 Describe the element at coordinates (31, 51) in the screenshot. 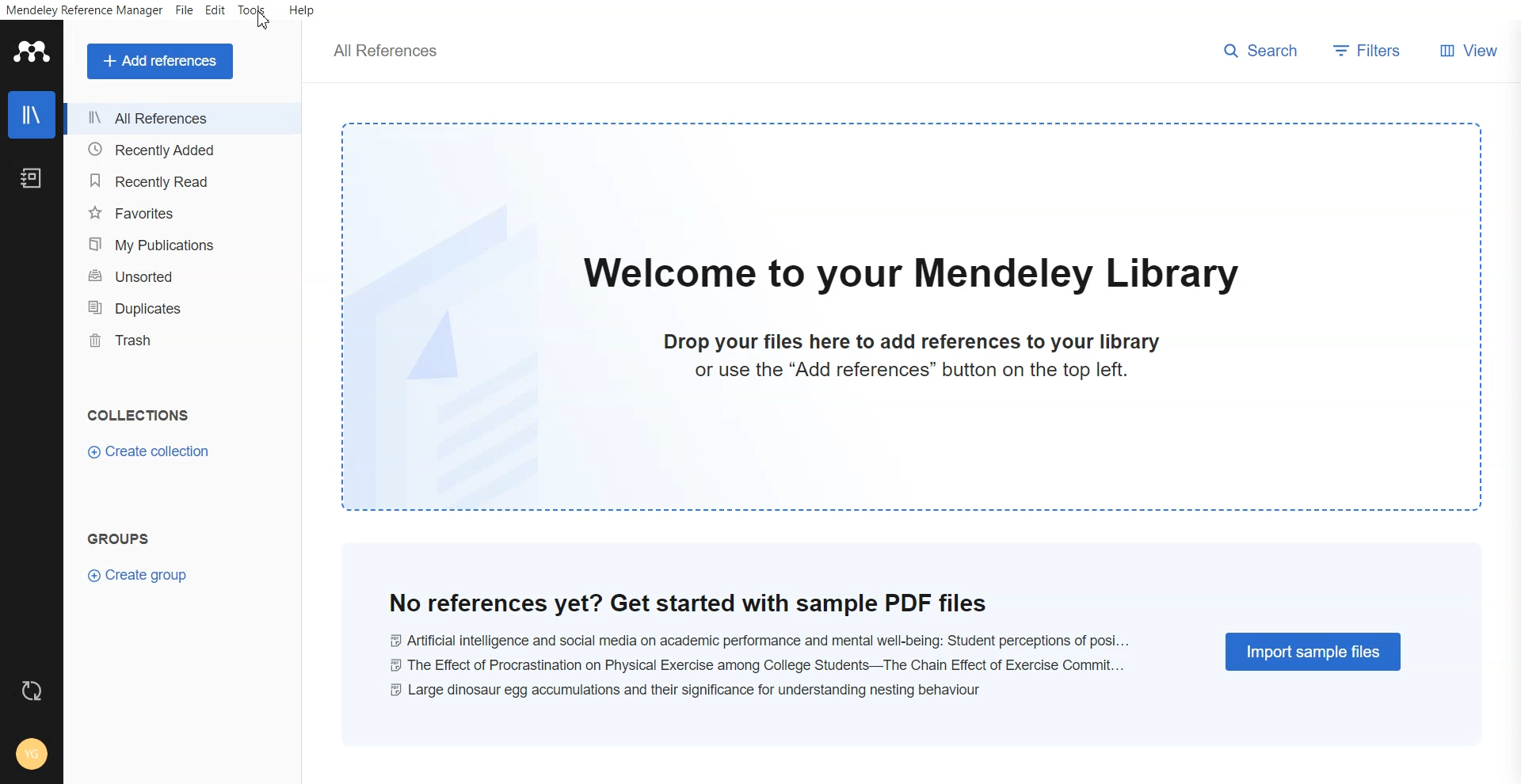

I see `Logo` at that location.